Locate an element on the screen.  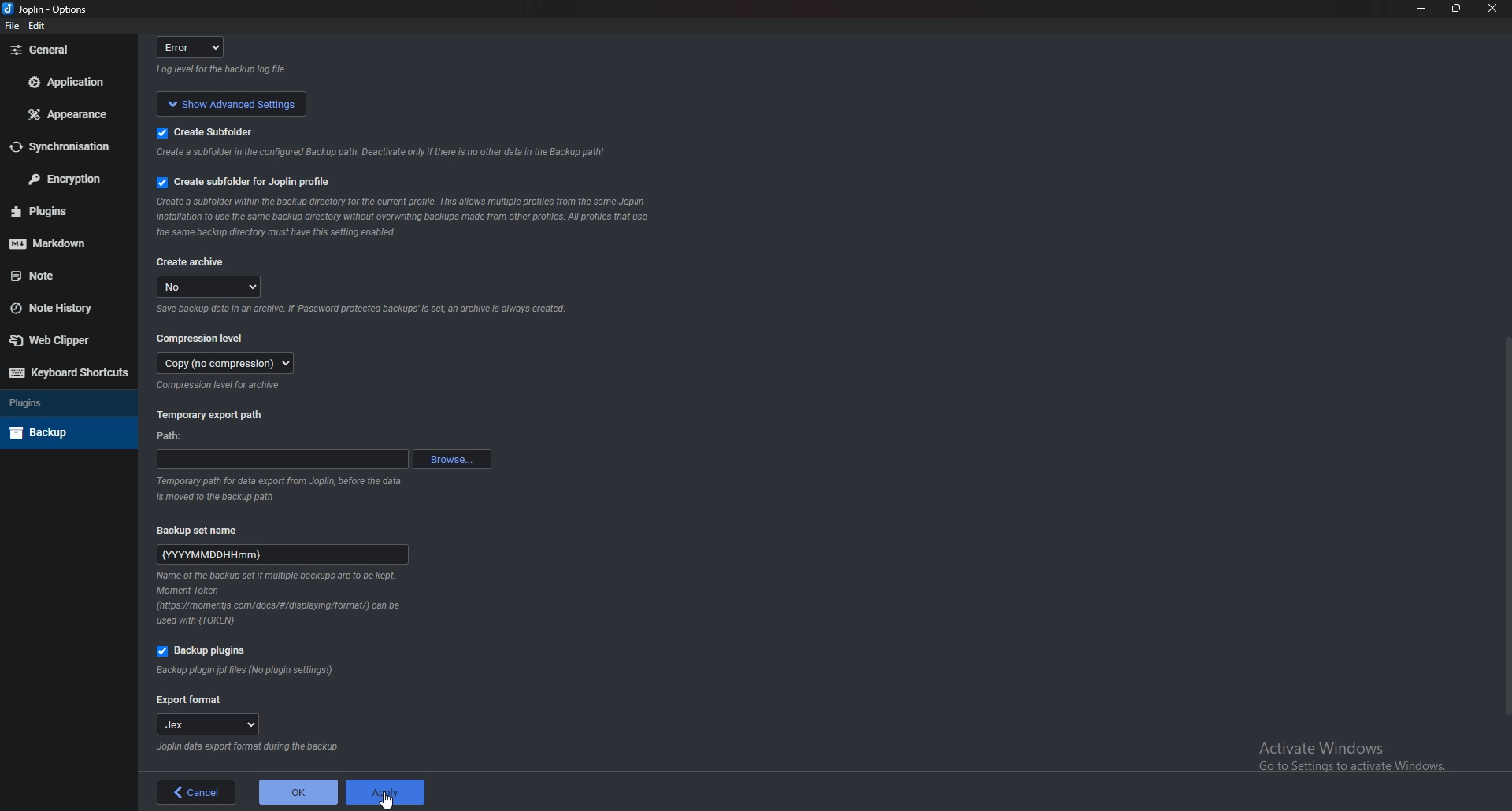
Mark down is located at coordinates (59, 241).